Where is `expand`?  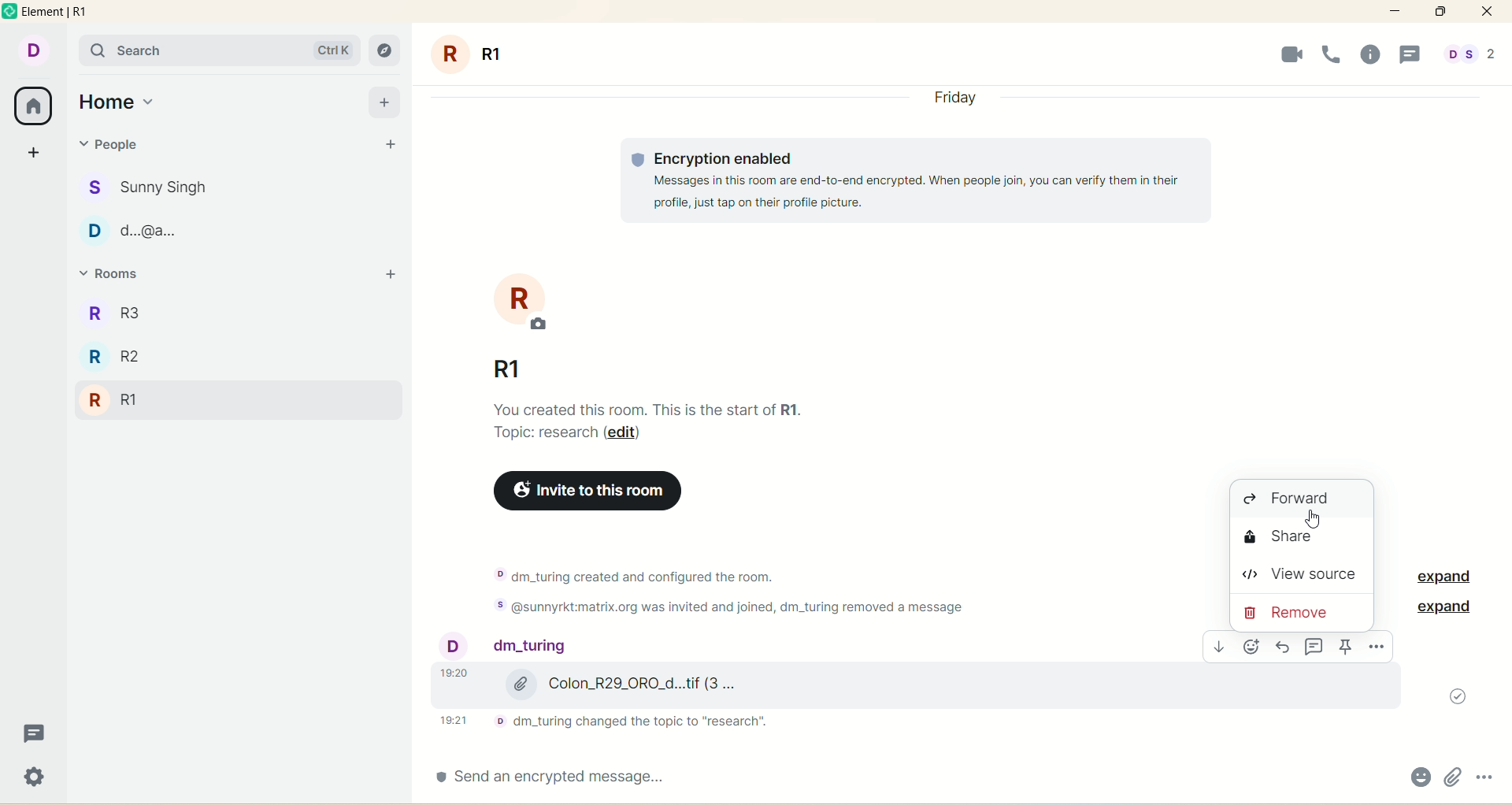
expand is located at coordinates (1438, 577).